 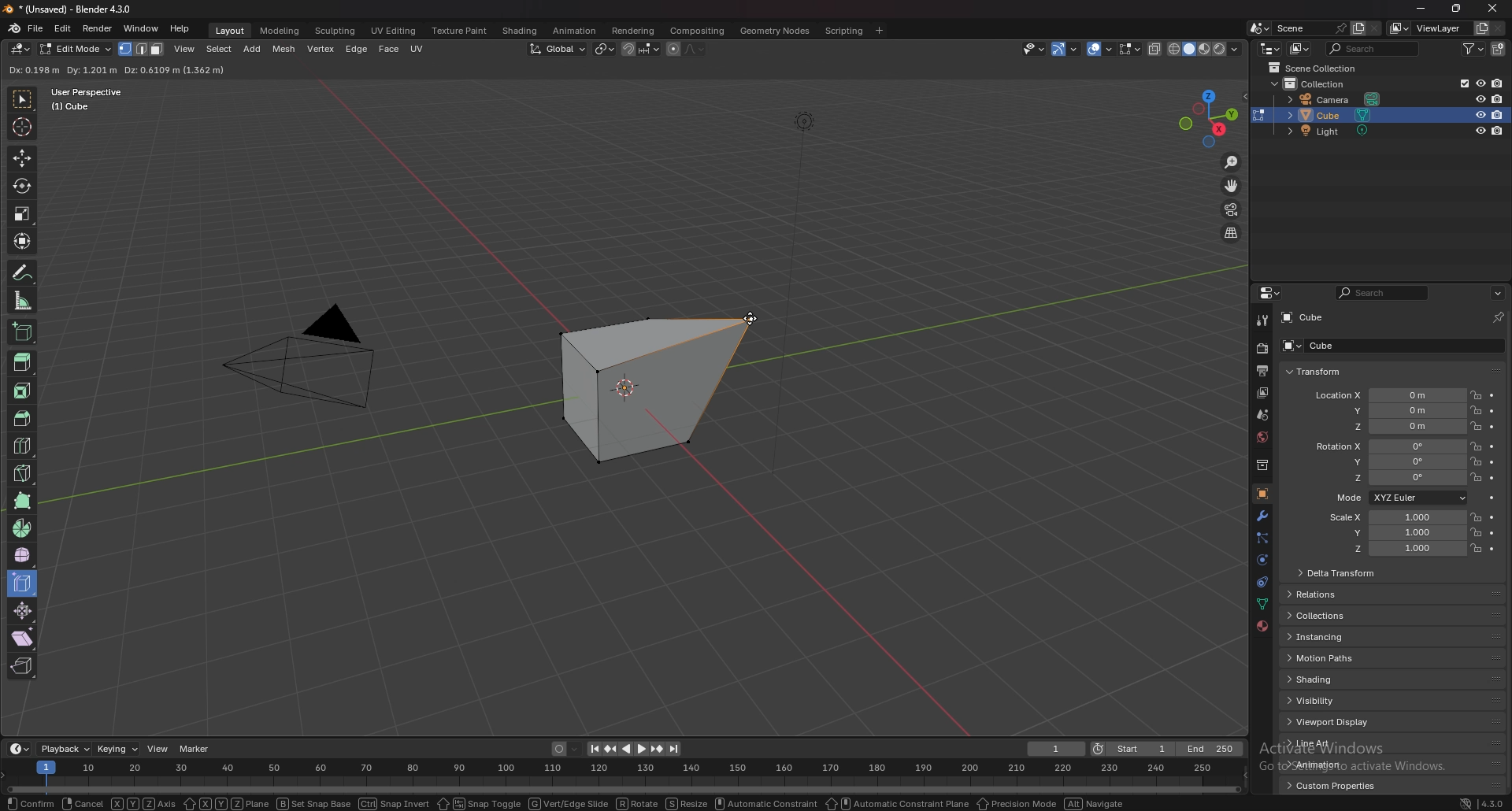 I want to click on browse scene, so click(x=1258, y=28).